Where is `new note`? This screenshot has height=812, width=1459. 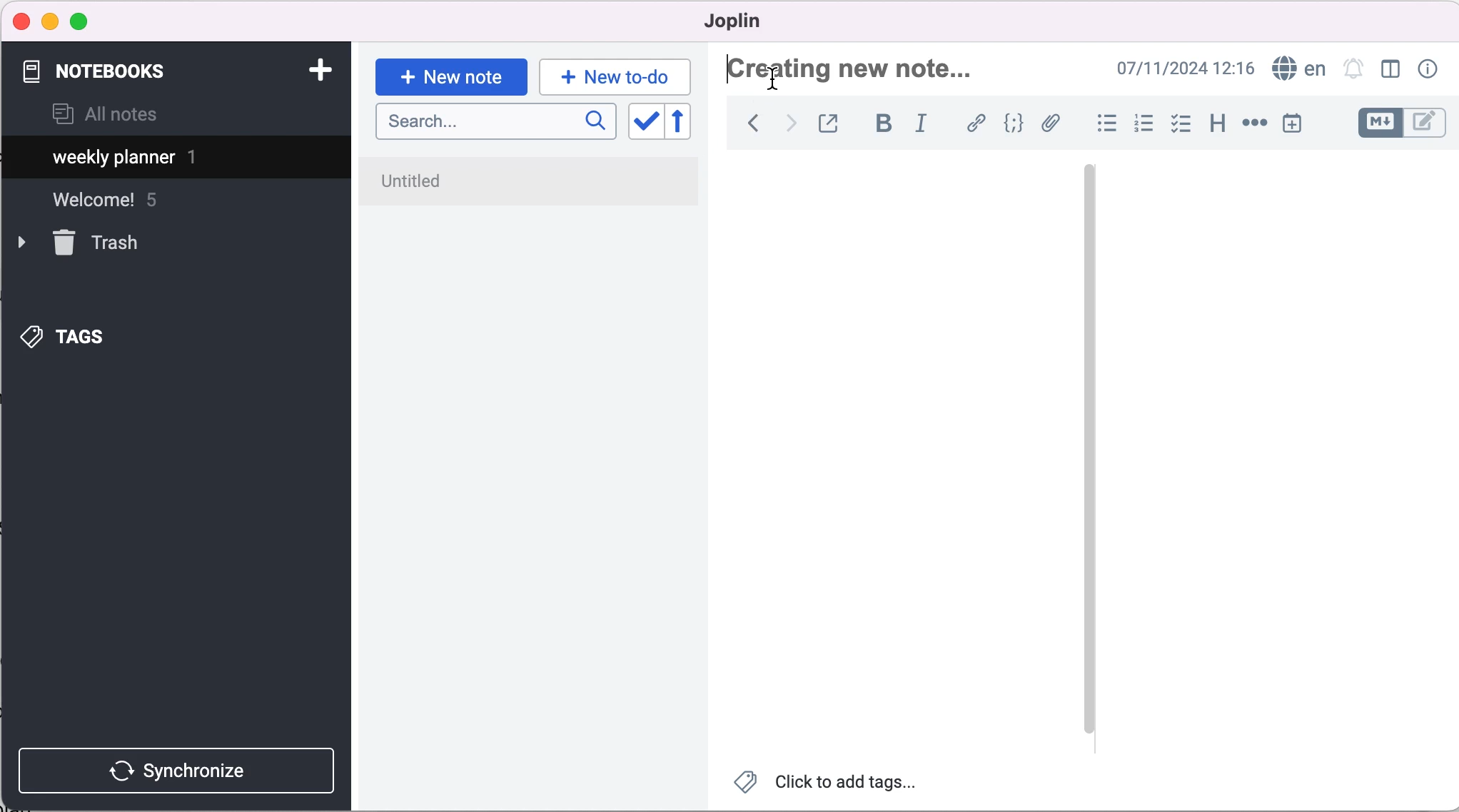
new note is located at coordinates (451, 76).